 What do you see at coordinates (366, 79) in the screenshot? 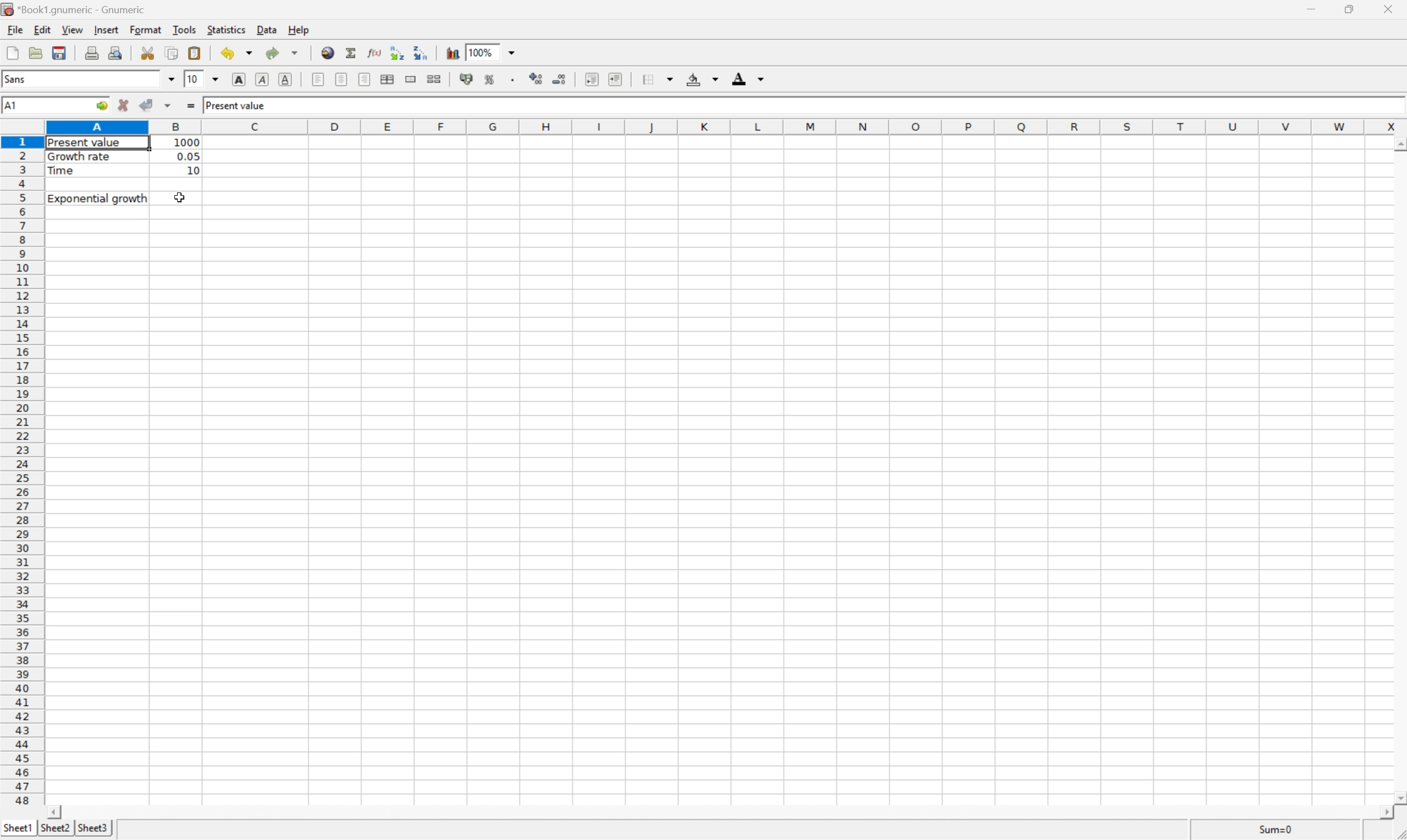
I see `Align Right` at bounding box center [366, 79].